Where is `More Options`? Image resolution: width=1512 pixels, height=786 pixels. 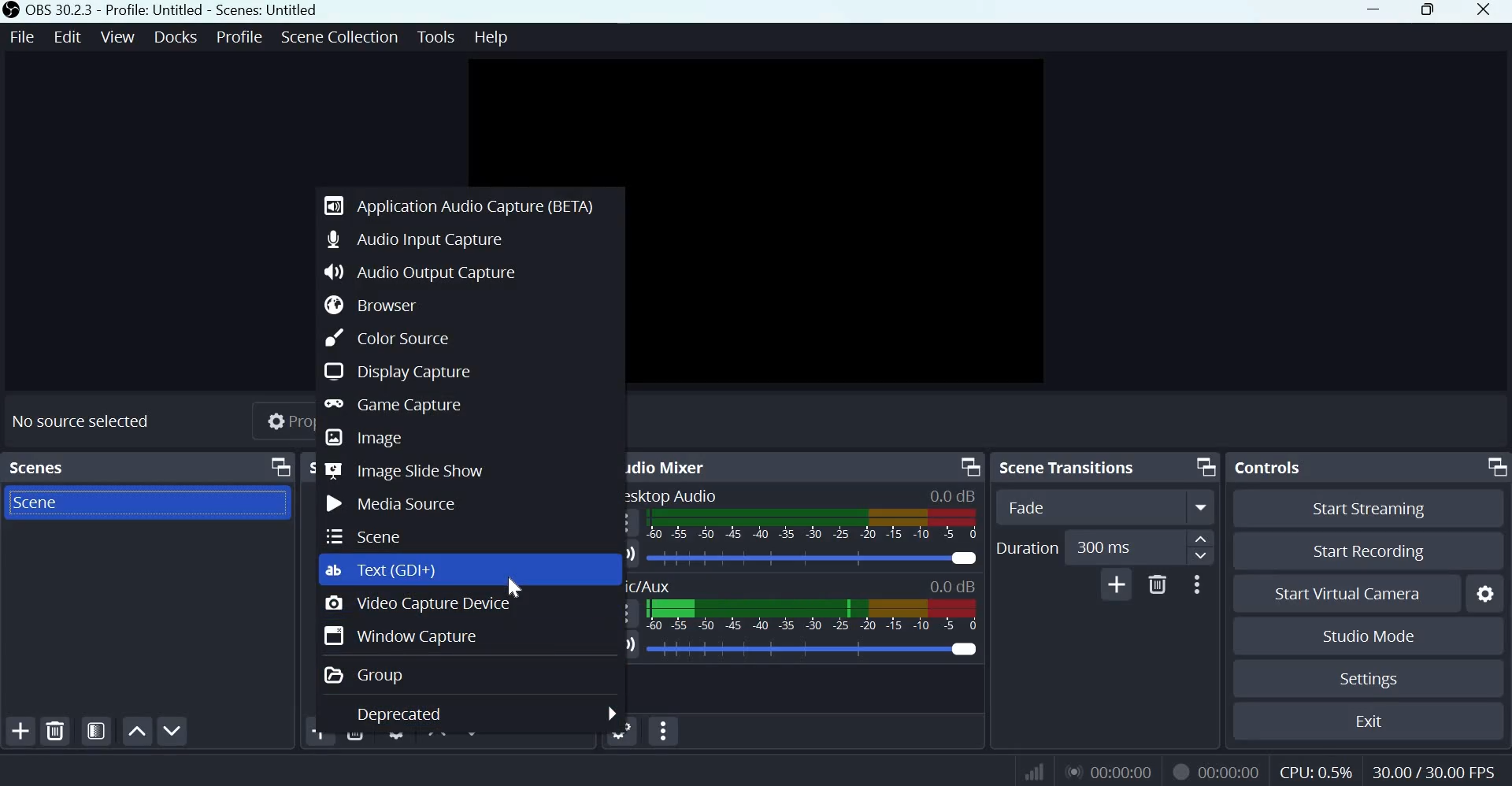
More Options is located at coordinates (1196, 584).